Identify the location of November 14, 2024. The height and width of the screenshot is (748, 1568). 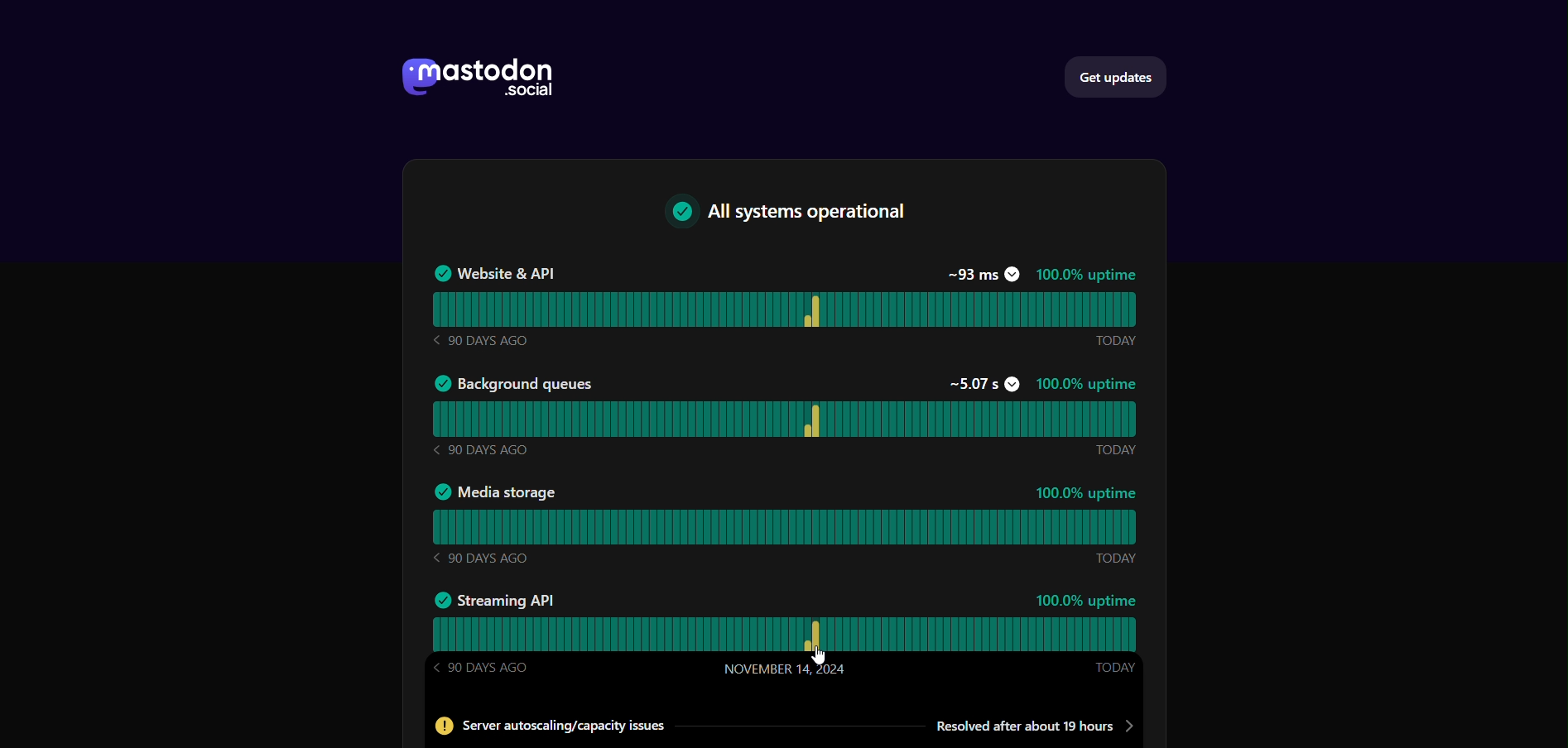
(785, 669).